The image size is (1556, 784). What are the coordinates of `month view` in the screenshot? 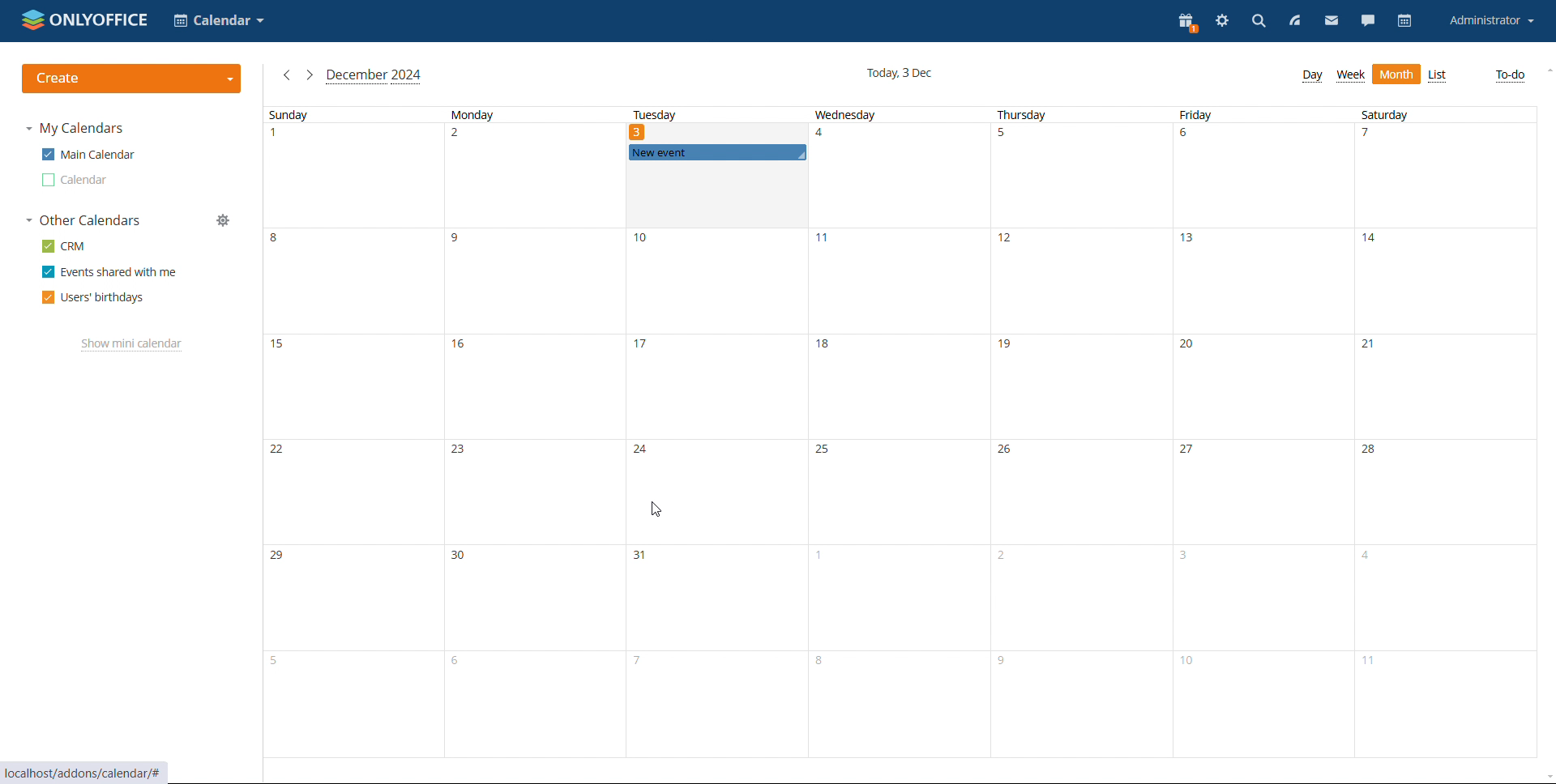 It's located at (1396, 75).